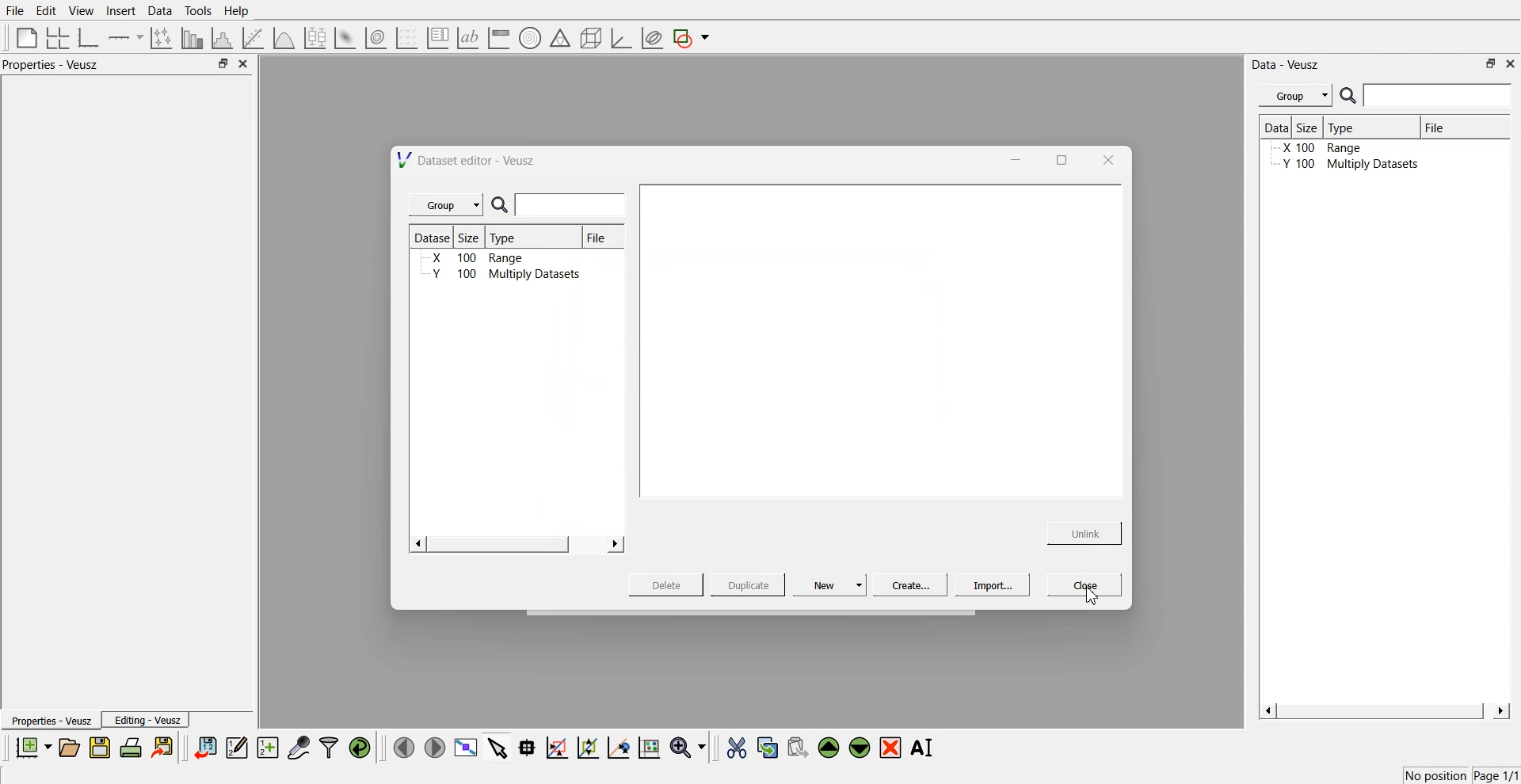 The height and width of the screenshot is (784, 1521). I want to click on zoom out the graph axes, so click(586, 747).